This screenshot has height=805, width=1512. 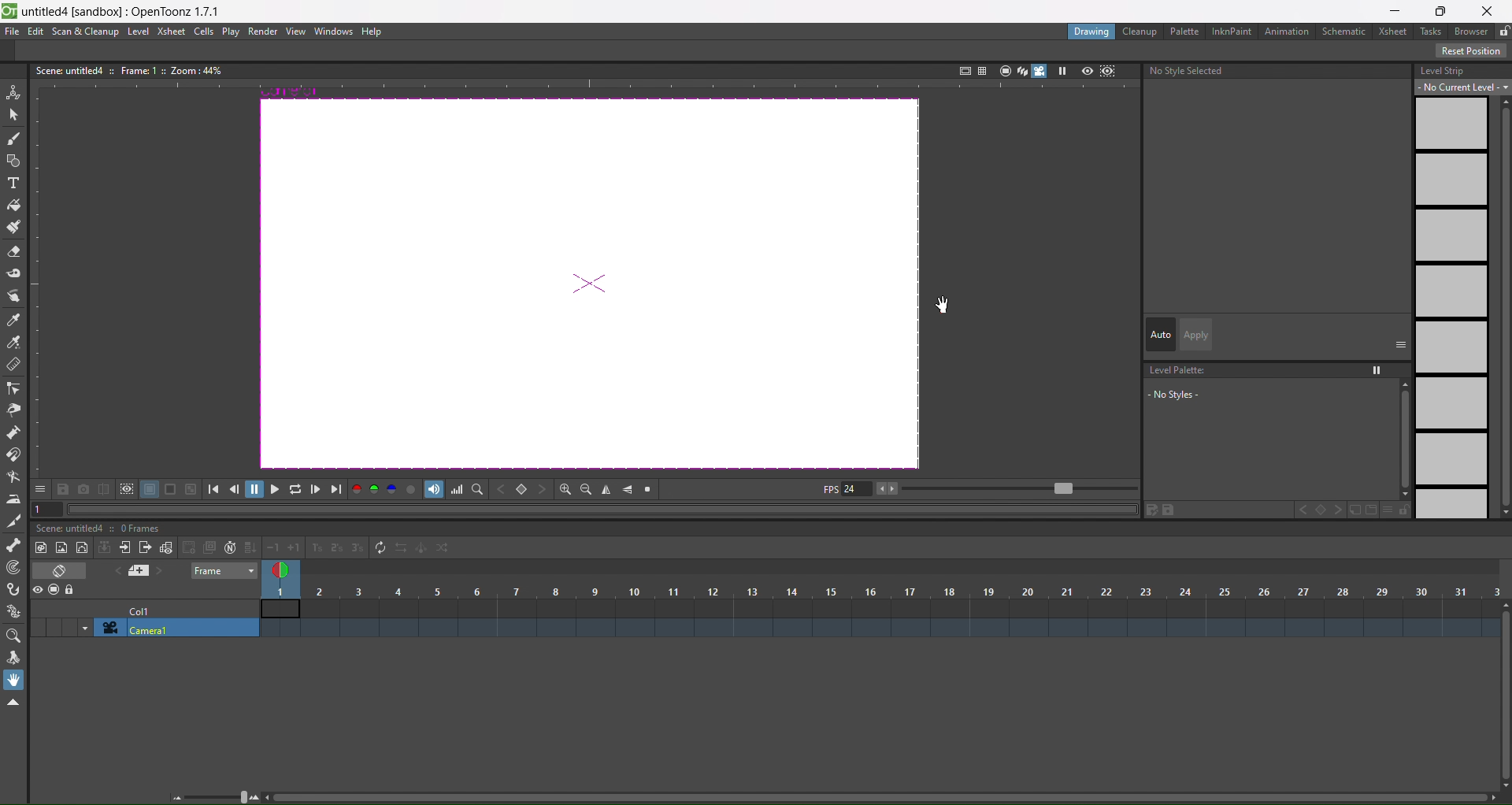 I want to click on swing, so click(x=422, y=551).